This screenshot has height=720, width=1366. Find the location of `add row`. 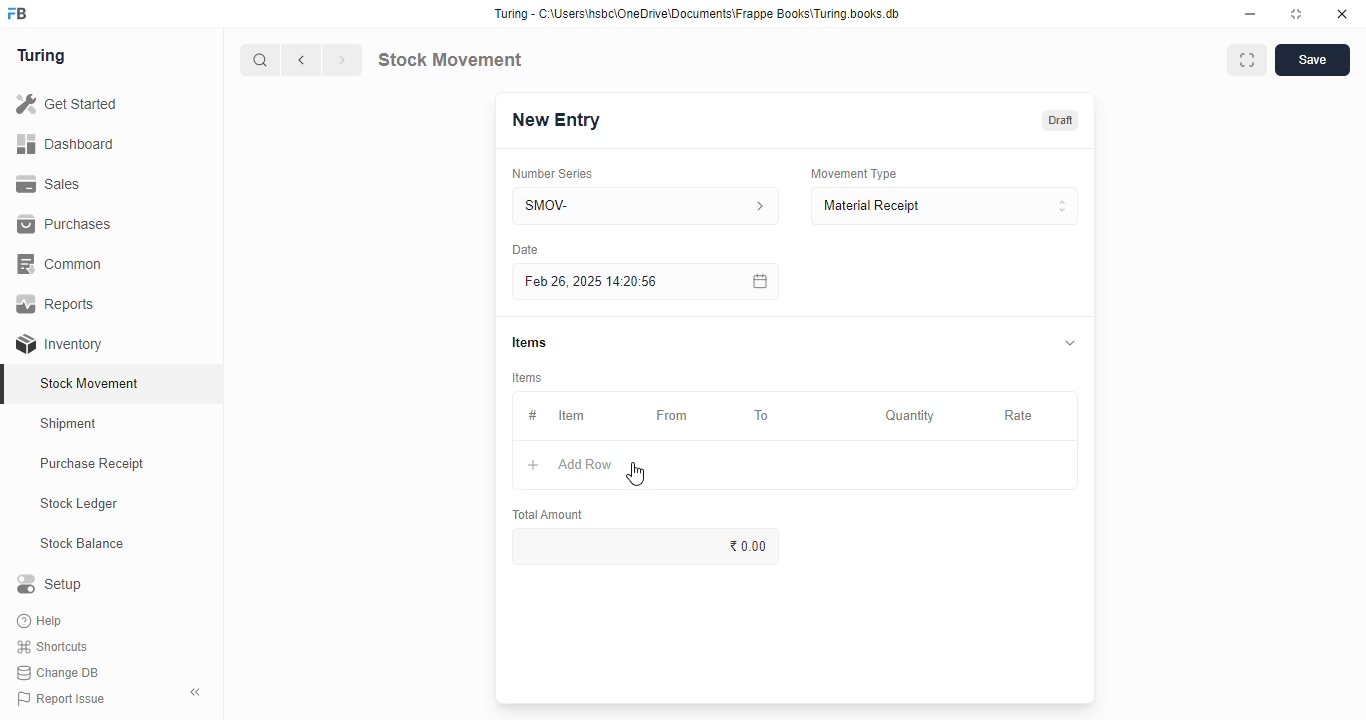

add row is located at coordinates (585, 464).